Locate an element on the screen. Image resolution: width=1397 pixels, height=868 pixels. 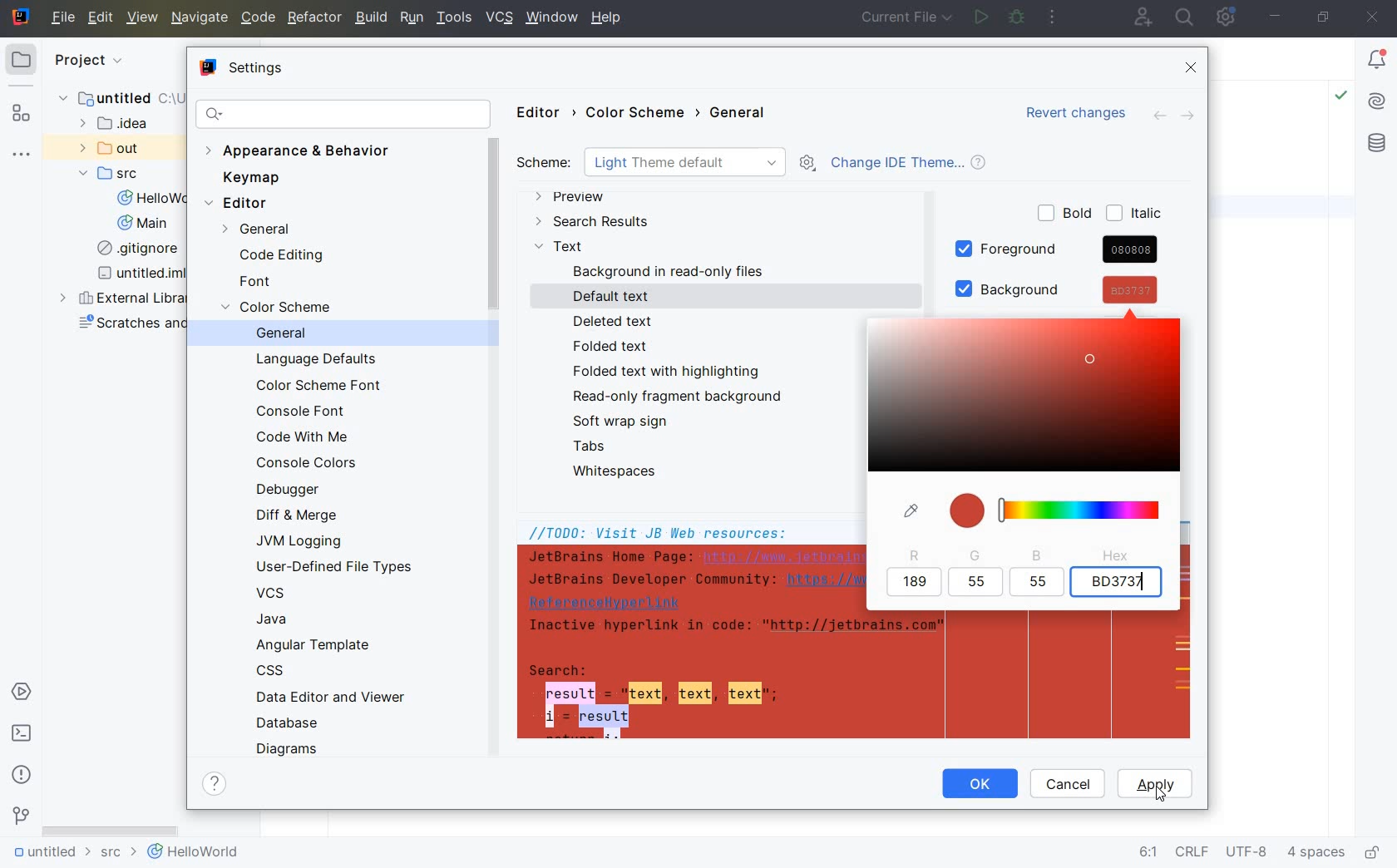
BACKGROUND is located at coordinates (1034, 290).